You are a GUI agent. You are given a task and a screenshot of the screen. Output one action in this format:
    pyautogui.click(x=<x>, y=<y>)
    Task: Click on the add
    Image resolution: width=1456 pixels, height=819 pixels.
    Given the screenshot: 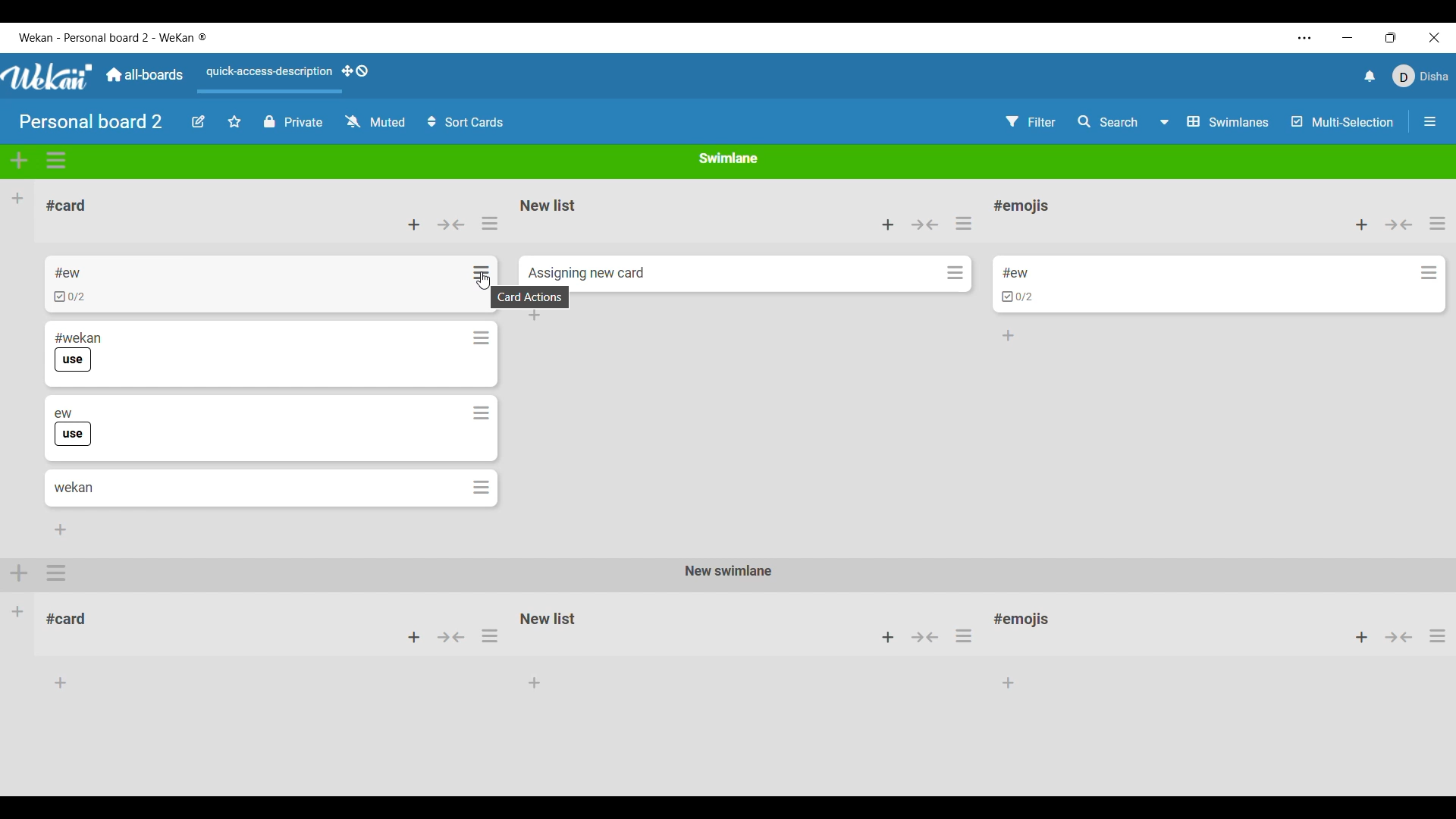 What is the action you would take?
    pyautogui.click(x=1354, y=638)
    